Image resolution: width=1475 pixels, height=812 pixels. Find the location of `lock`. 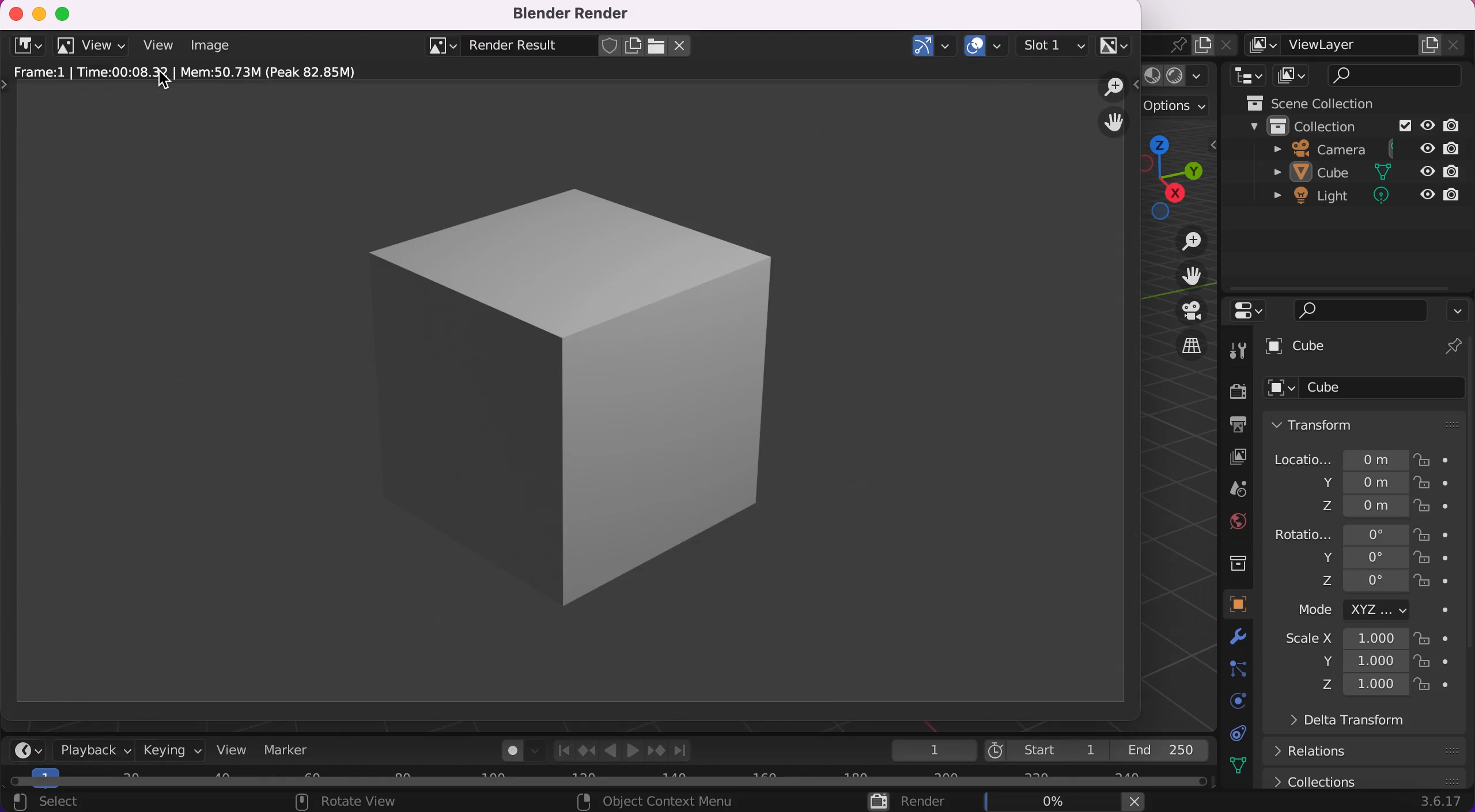

lock is located at coordinates (1436, 582).